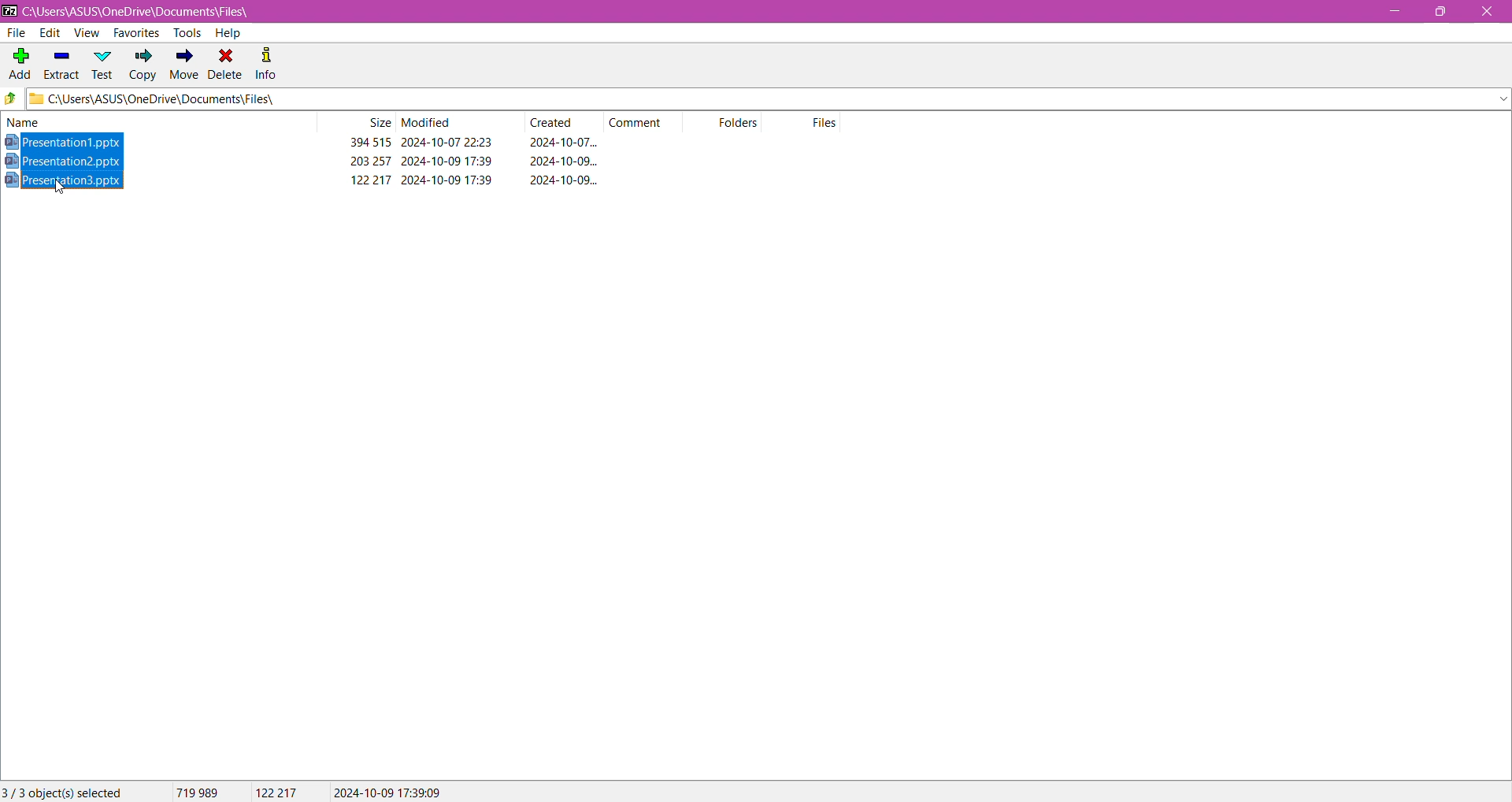  I want to click on Copy, so click(143, 66).